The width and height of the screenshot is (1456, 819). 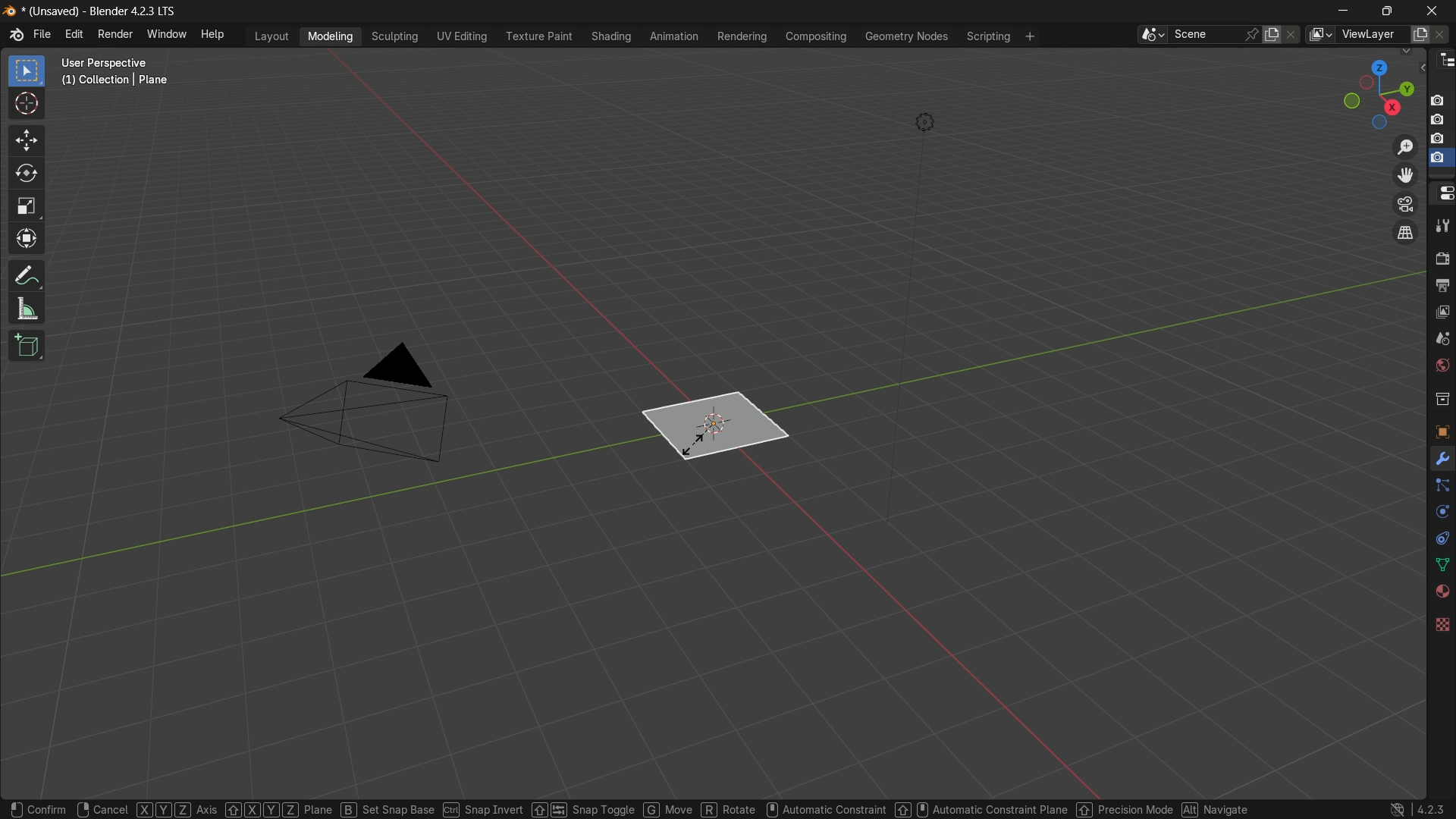 I want to click on texture, so click(x=1441, y=623).